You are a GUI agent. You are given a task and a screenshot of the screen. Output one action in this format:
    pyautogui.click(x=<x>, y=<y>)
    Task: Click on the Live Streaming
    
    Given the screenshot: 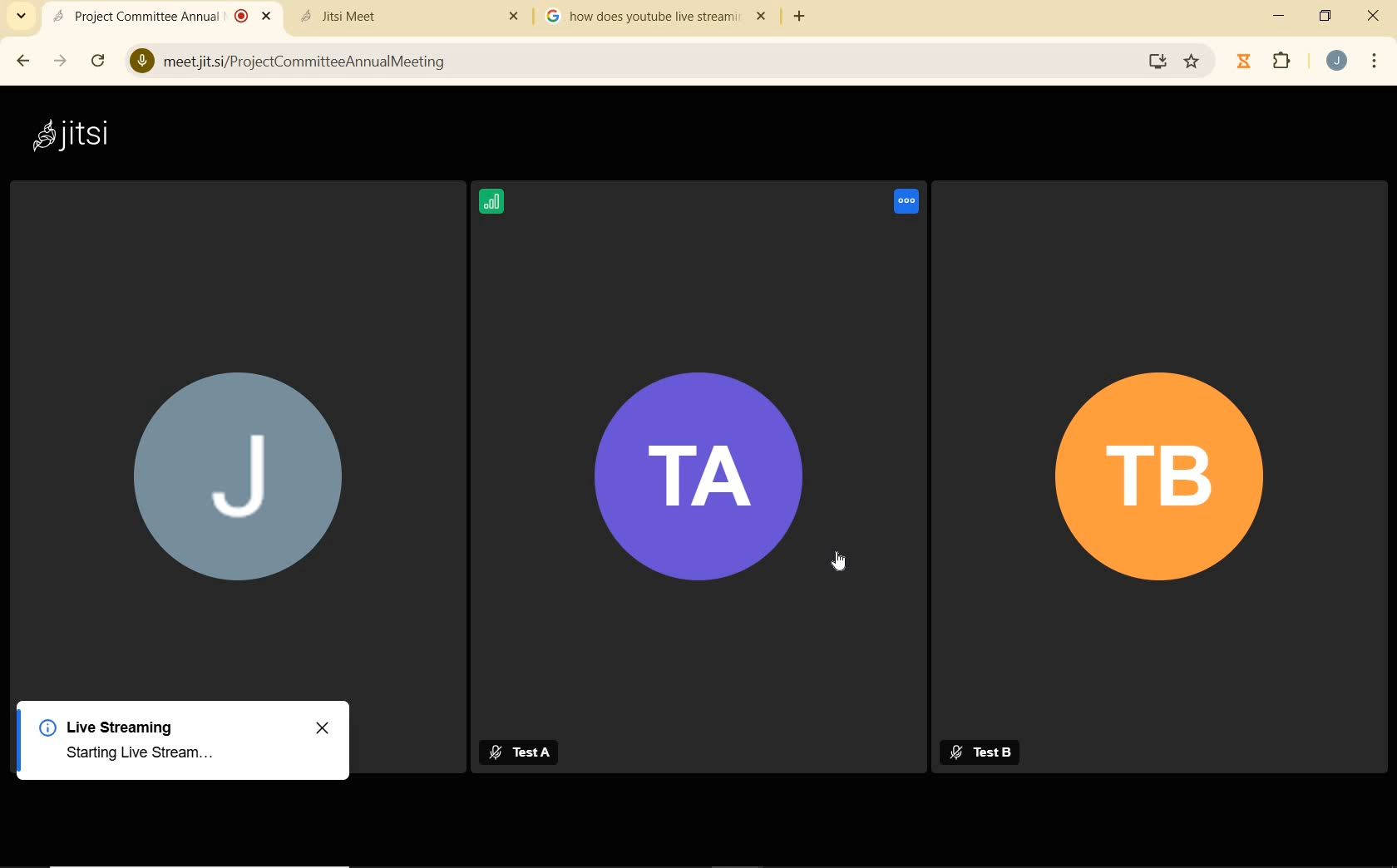 What is the action you would take?
    pyautogui.click(x=174, y=722)
    